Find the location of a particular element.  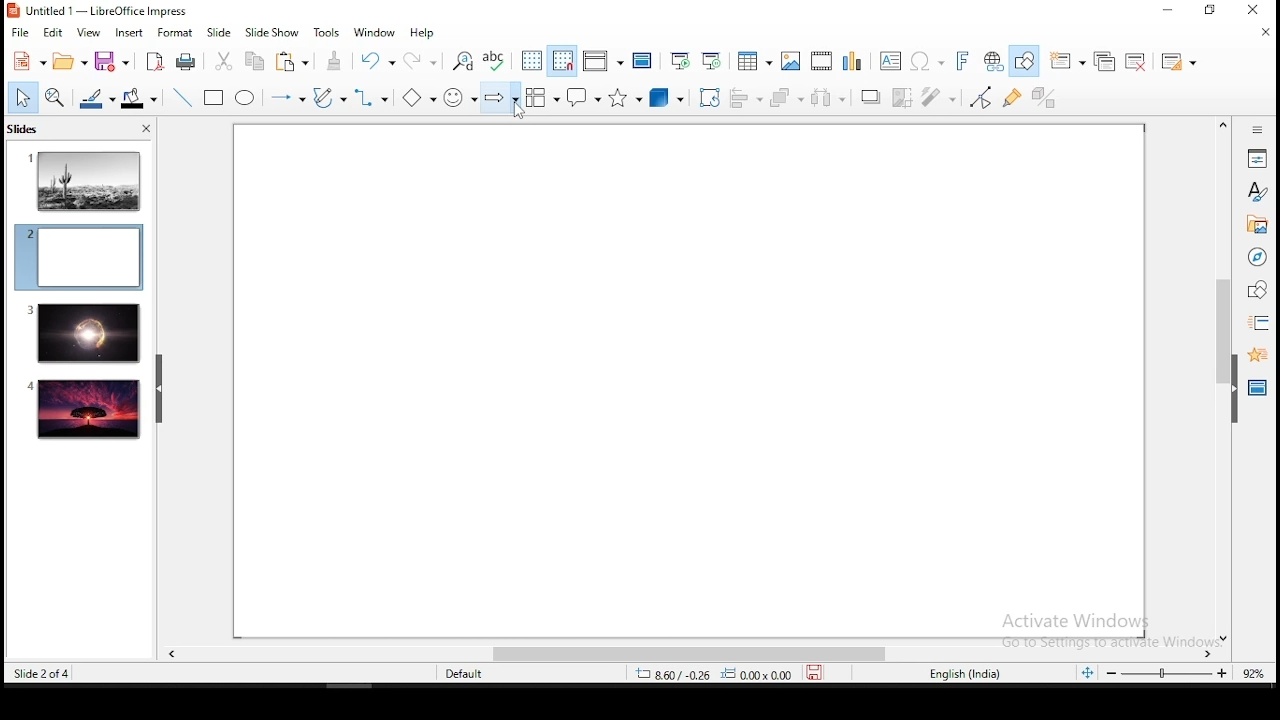

images is located at coordinates (791, 61).